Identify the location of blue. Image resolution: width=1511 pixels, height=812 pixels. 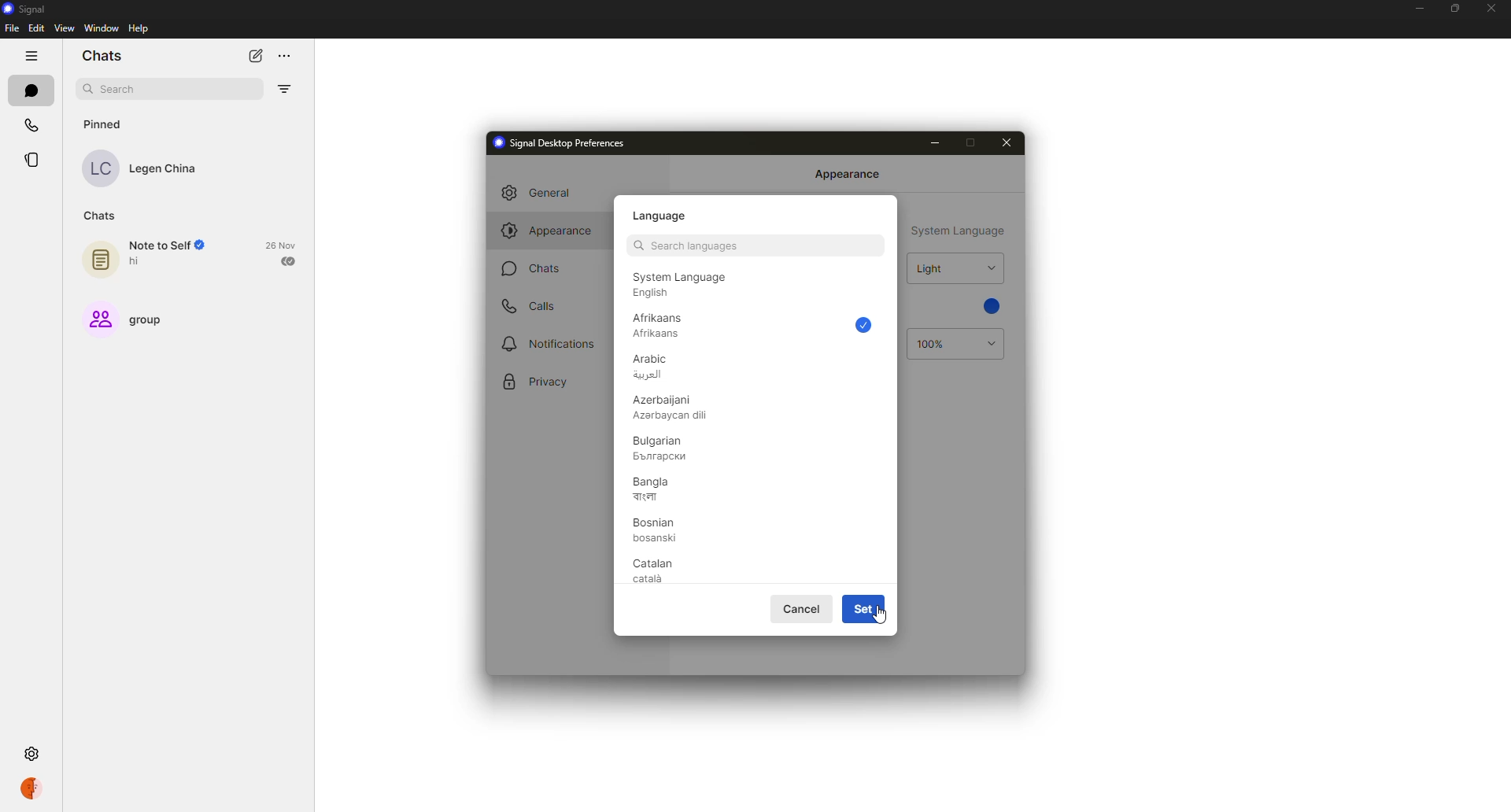
(991, 305).